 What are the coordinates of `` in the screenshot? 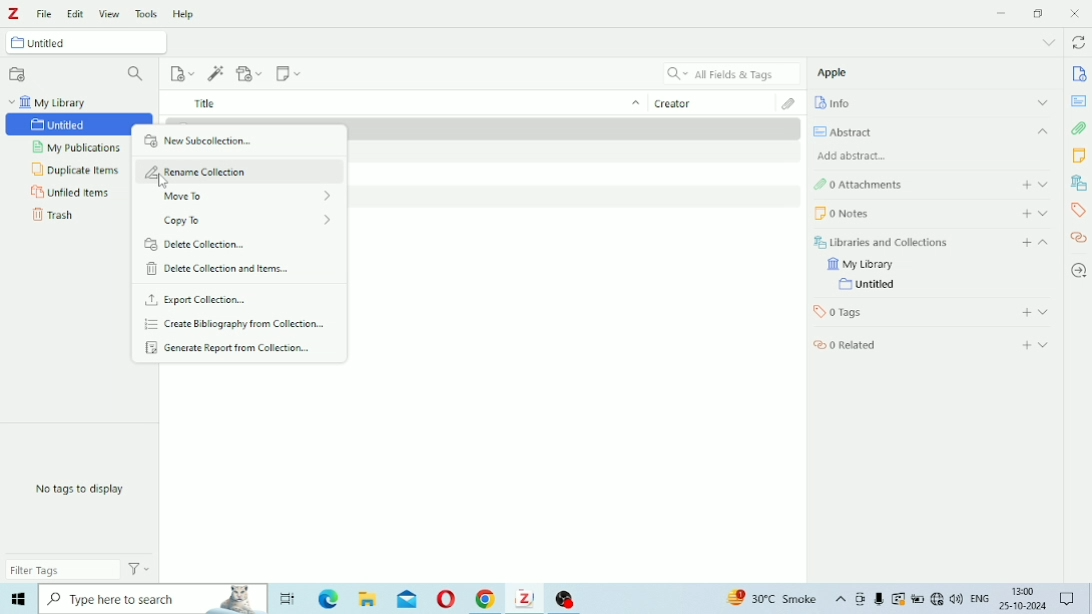 It's located at (154, 598).